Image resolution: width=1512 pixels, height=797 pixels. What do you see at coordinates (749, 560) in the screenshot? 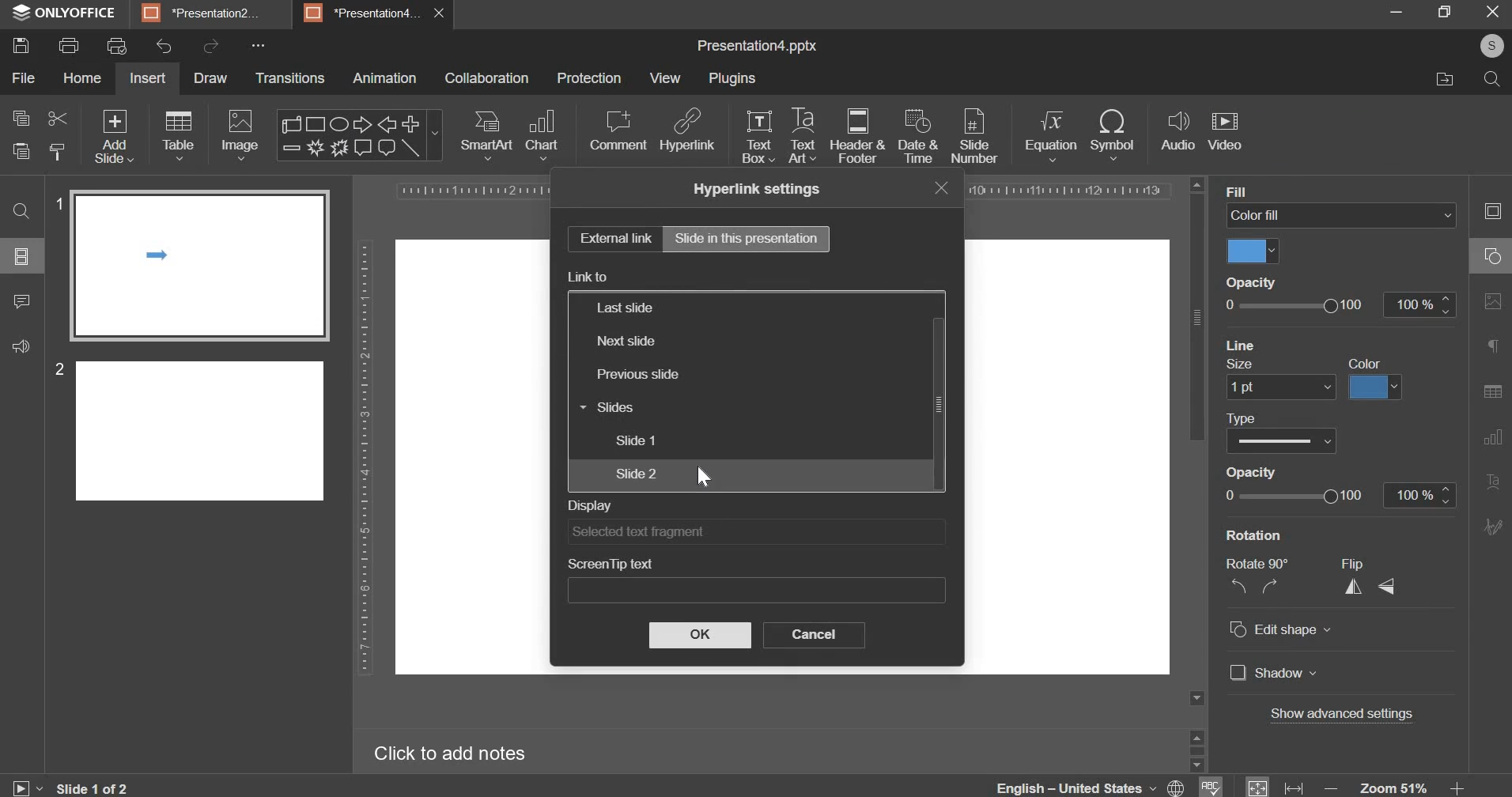
I see `screentip text` at bounding box center [749, 560].